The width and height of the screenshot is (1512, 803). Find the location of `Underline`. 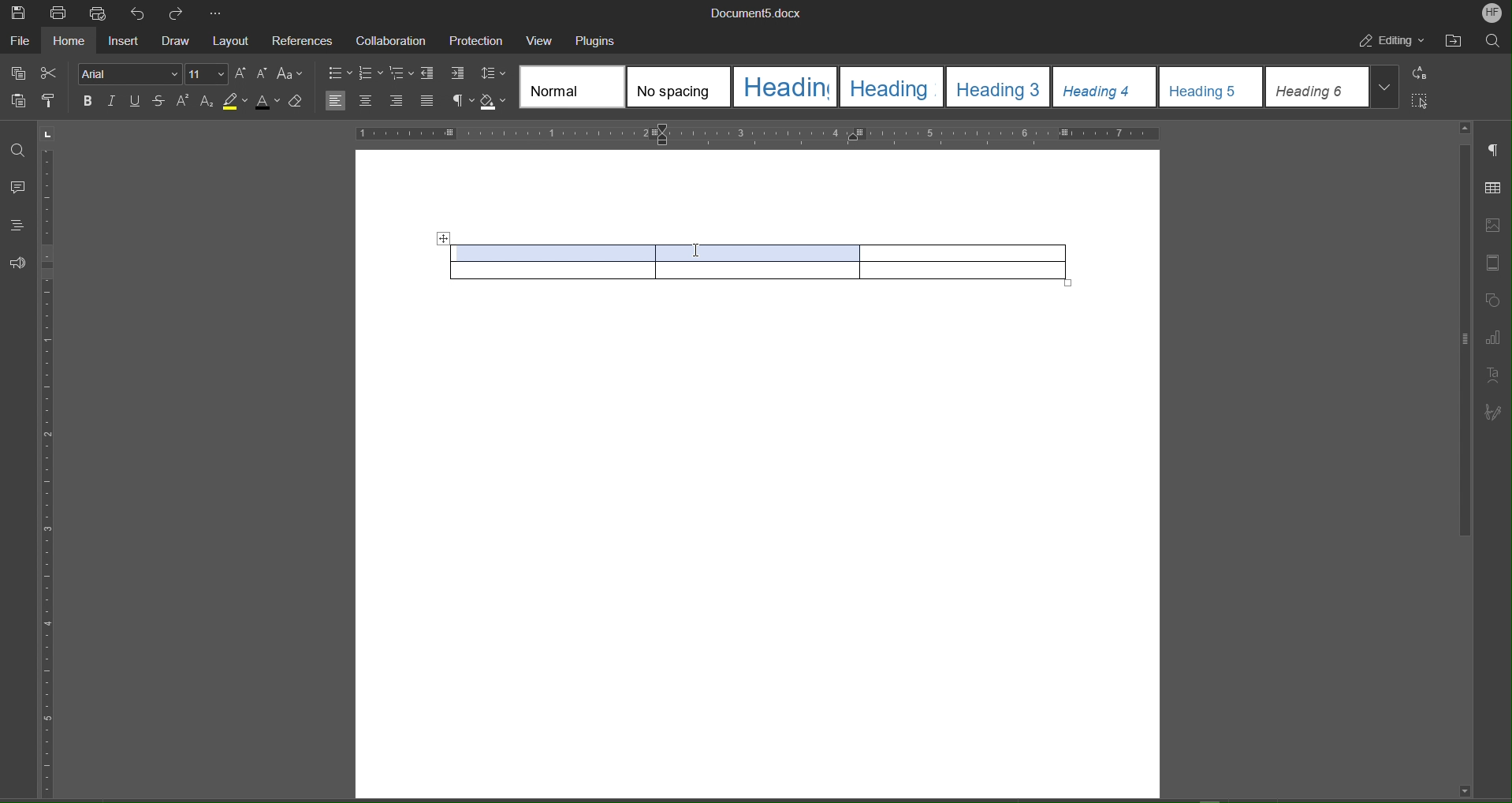

Underline is located at coordinates (136, 102).